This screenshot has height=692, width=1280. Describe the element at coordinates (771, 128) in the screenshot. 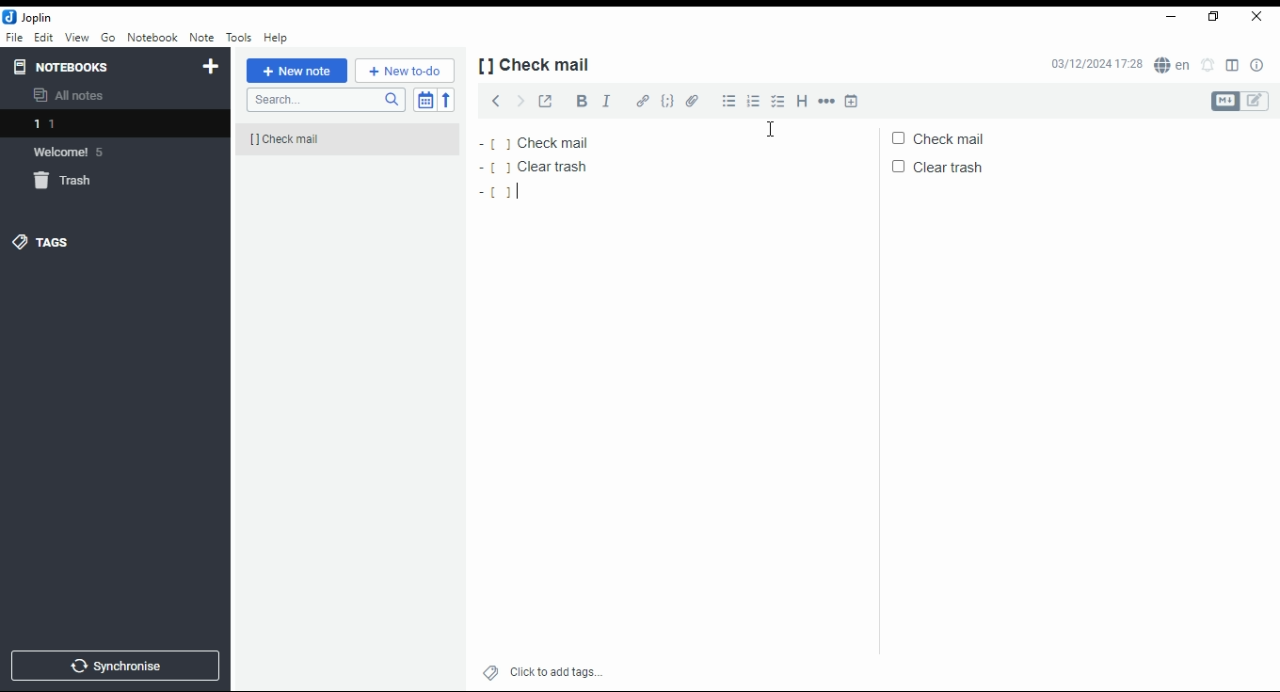

I see `mouse pointer` at that location.